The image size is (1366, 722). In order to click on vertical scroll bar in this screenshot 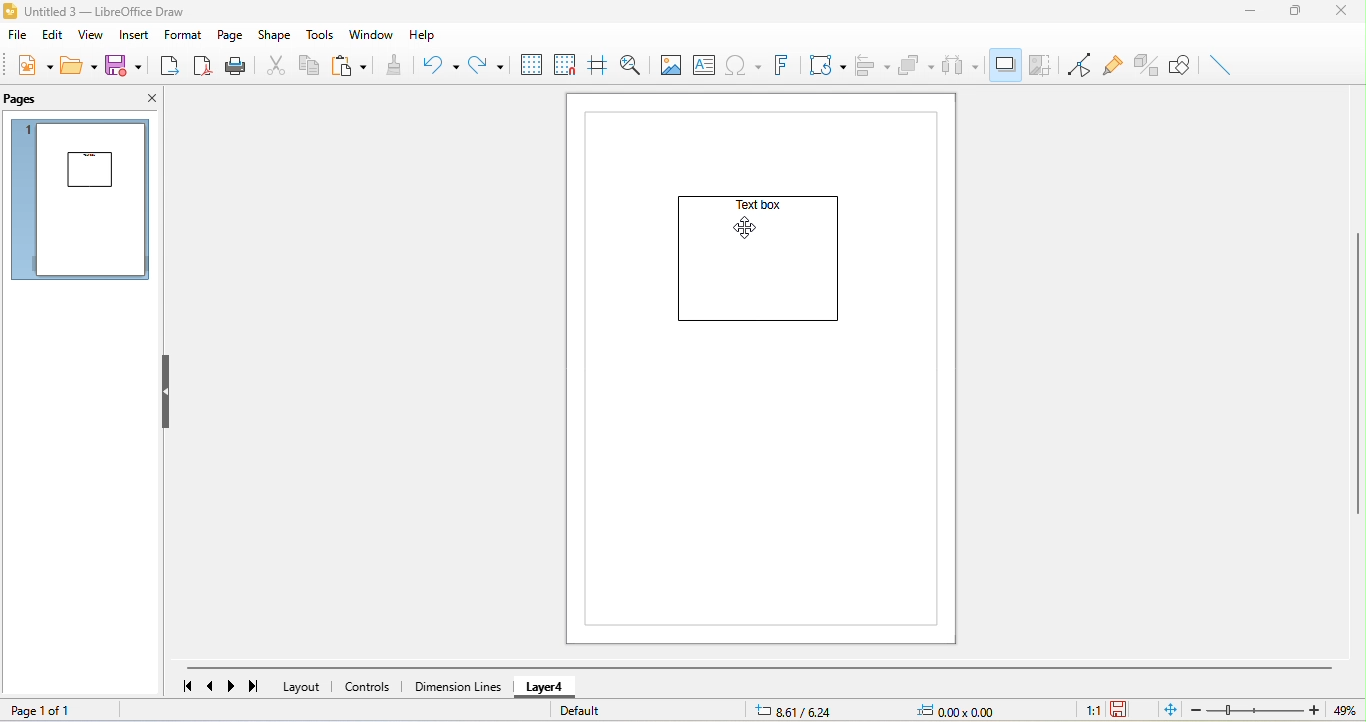, I will do `click(1357, 372)`.